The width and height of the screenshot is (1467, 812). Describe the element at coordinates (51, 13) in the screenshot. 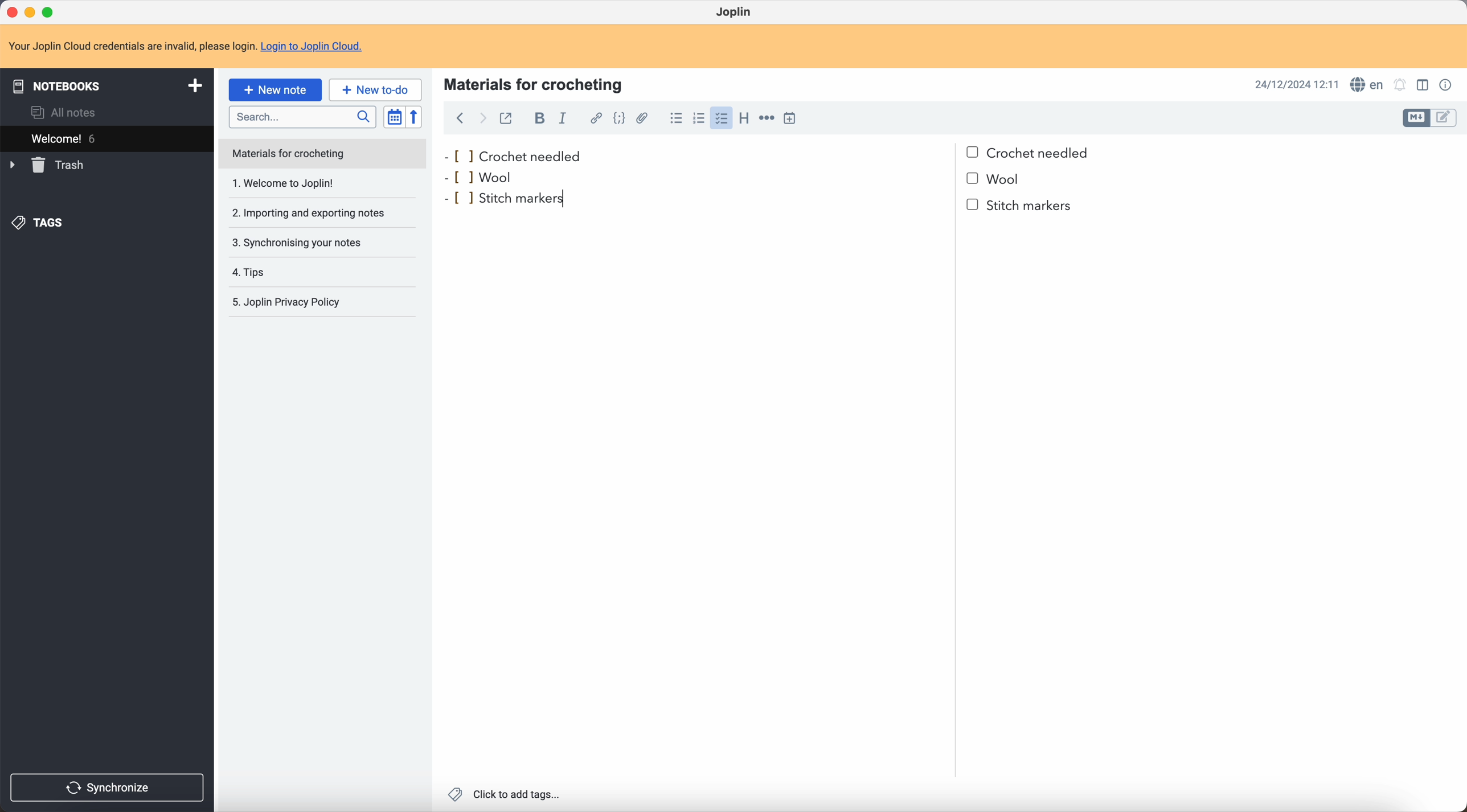

I see `maximize` at that location.